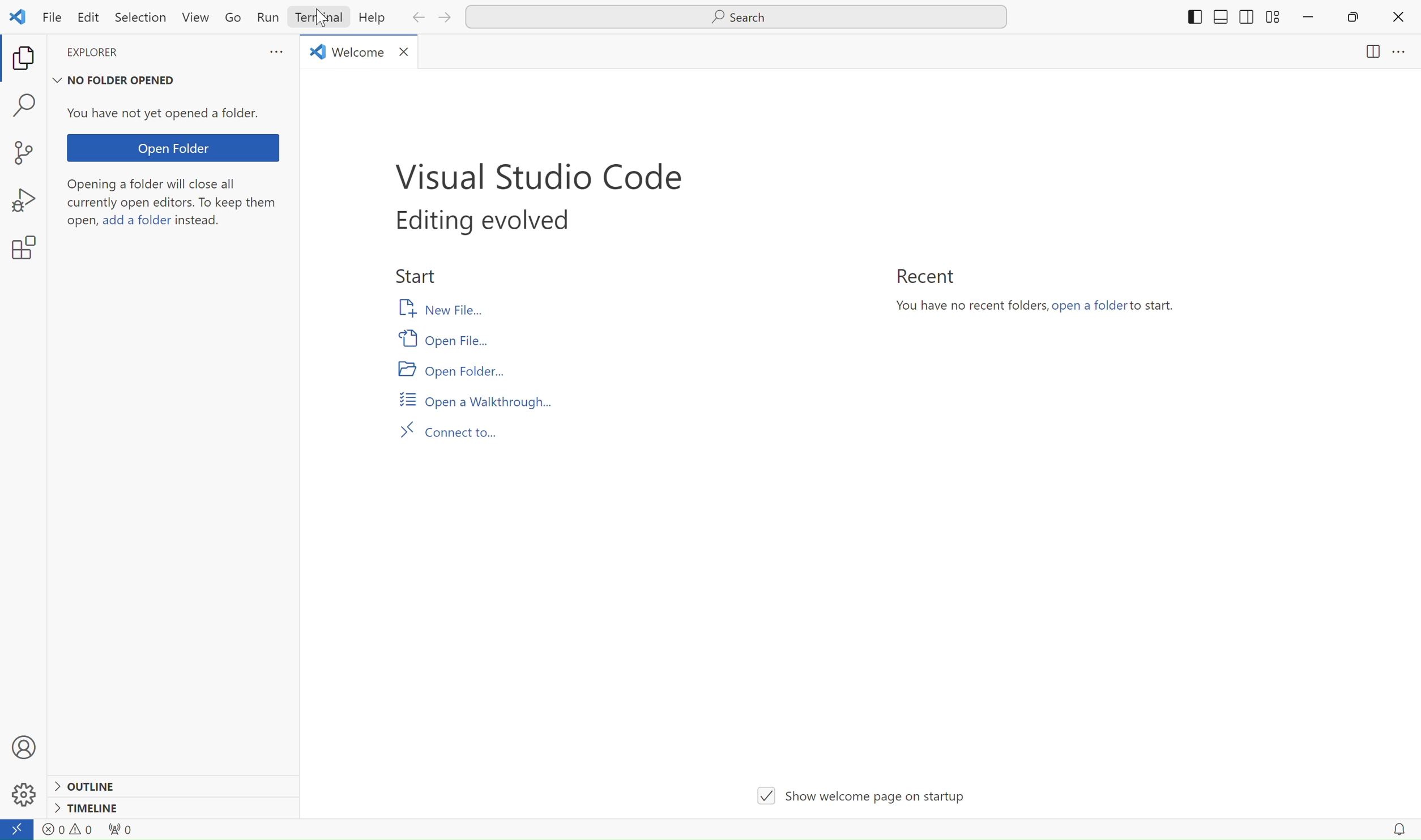  What do you see at coordinates (197, 19) in the screenshot?
I see `View` at bounding box center [197, 19].